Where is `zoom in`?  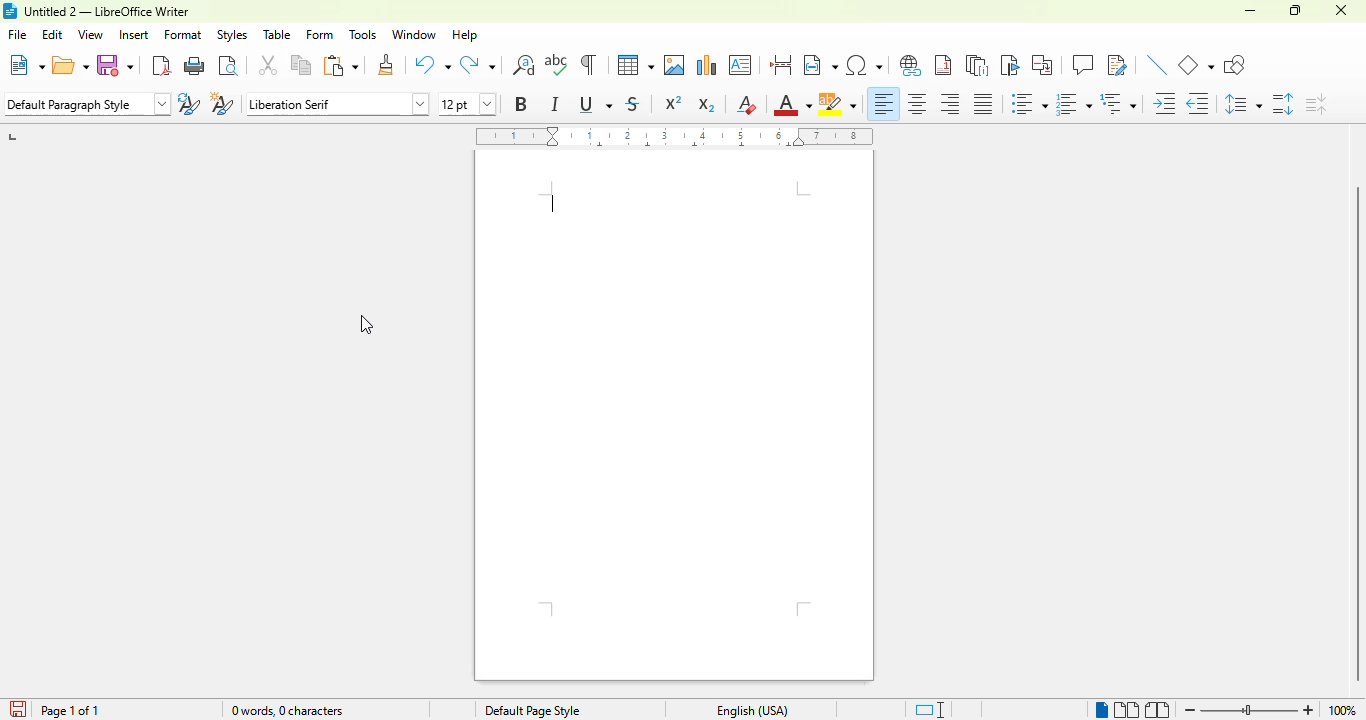
zoom in is located at coordinates (1309, 710).